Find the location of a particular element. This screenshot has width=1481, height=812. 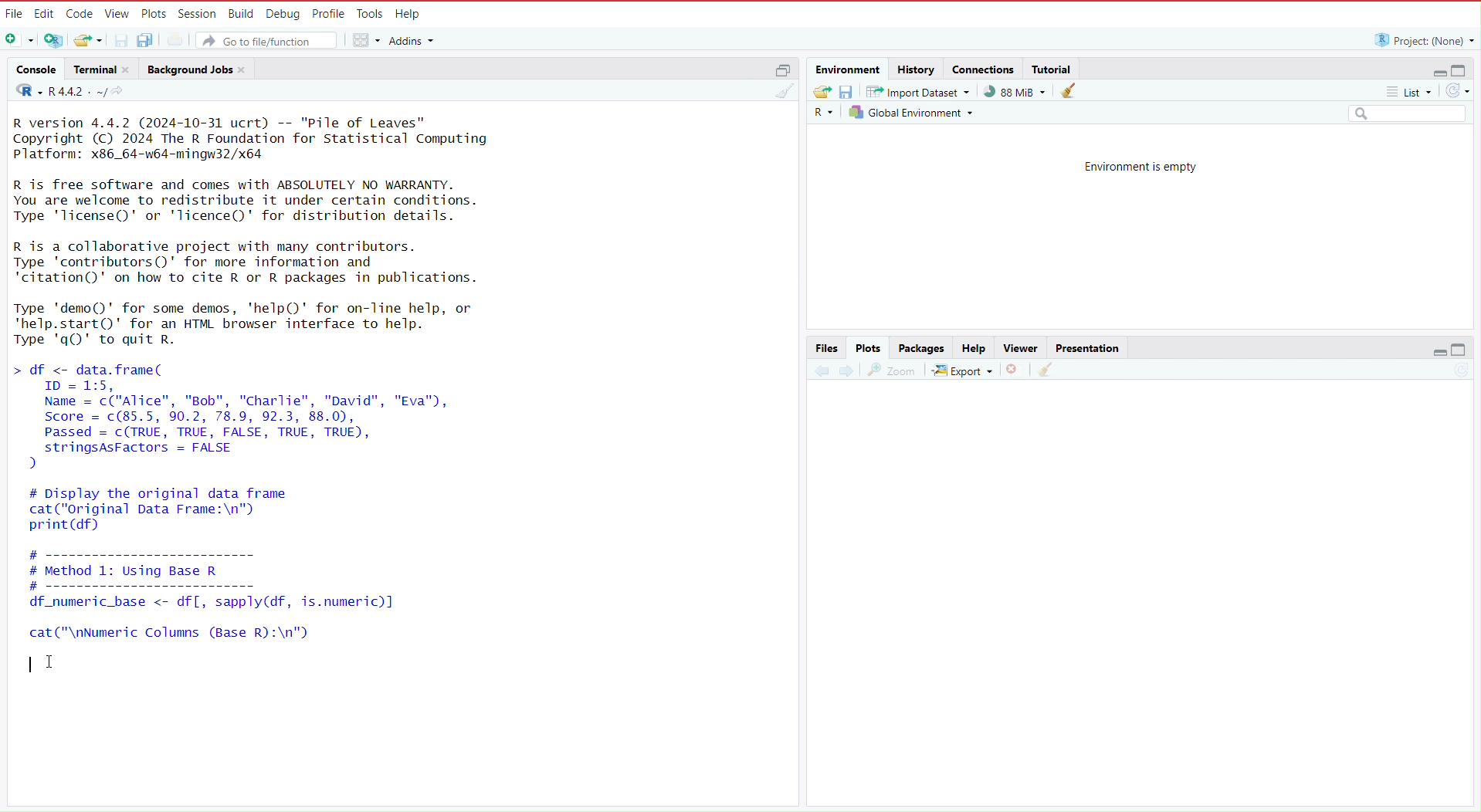

next plot is located at coordinates (843, 370).